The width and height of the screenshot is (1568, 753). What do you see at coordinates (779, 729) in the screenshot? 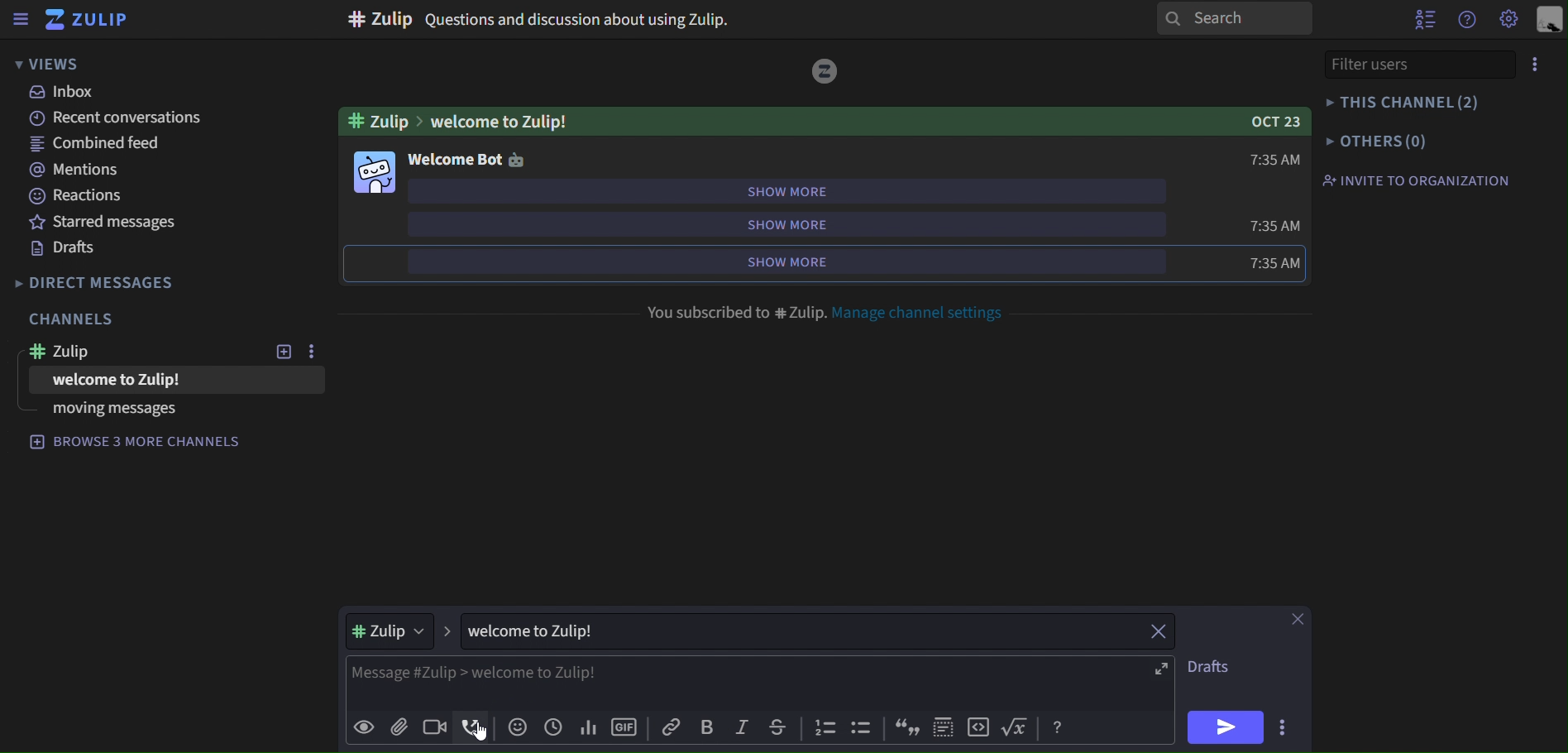
I see `strikethrough` at bounding box center [779, 729].